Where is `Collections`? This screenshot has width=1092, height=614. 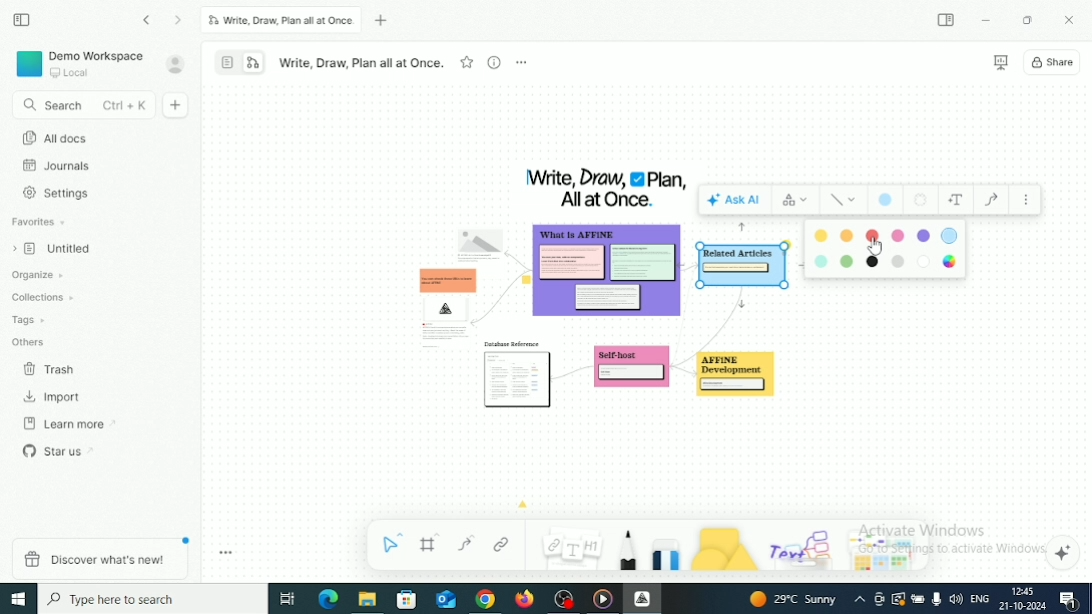 Collections is located at coordinates (44, 296).